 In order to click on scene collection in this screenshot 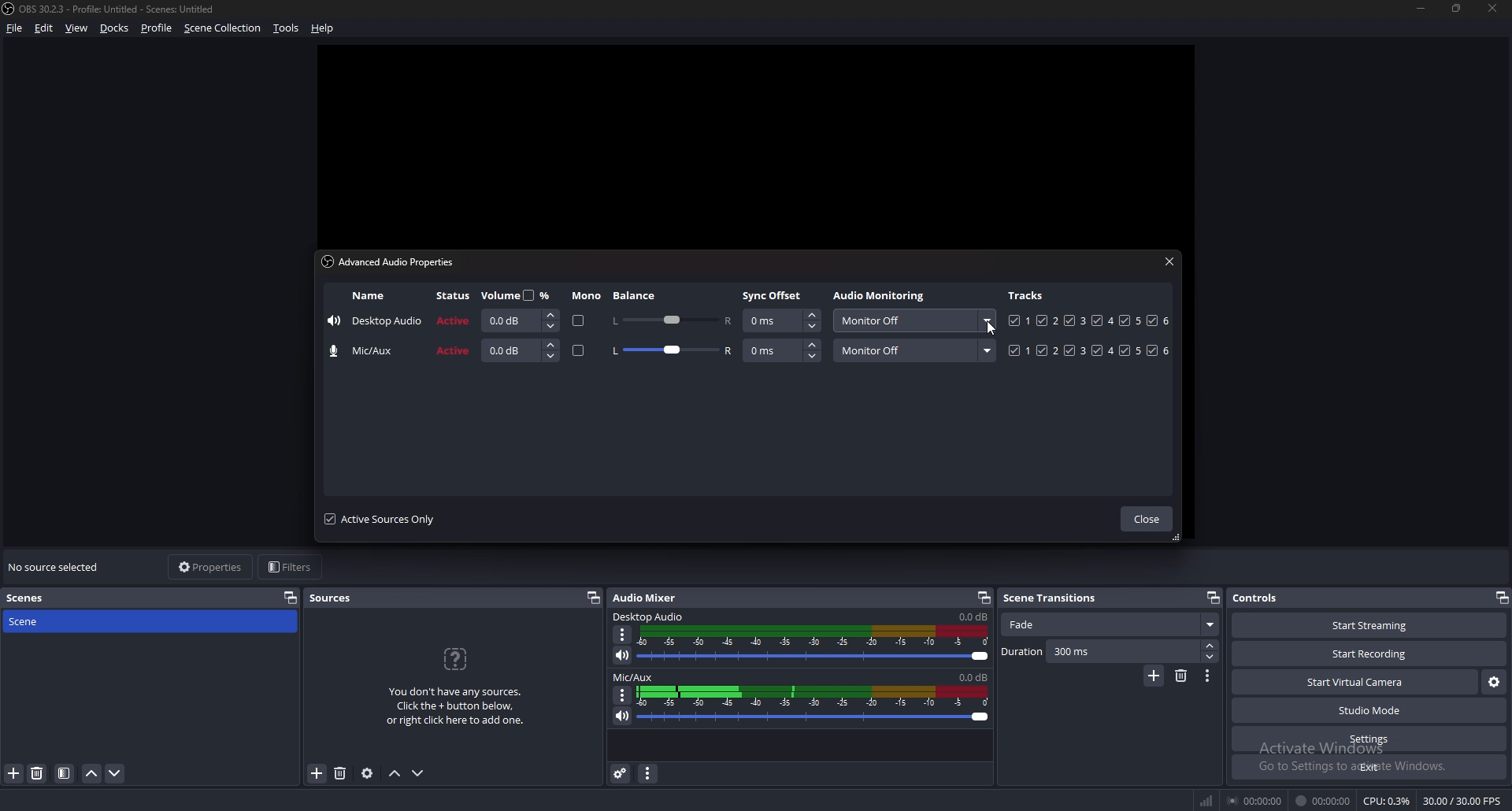, I will do `click(224, 28)`.